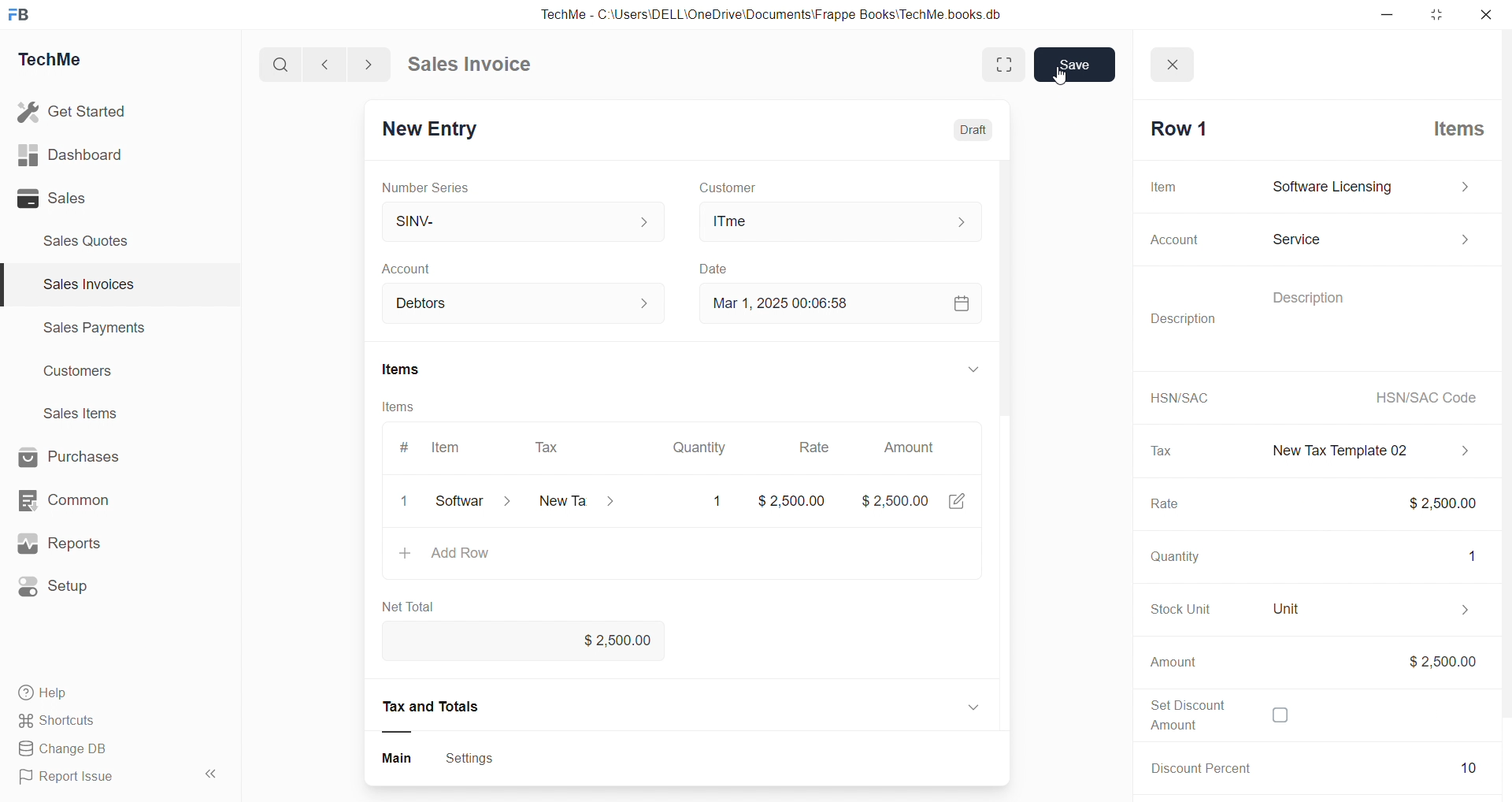 The image size is (1512, 802). Describe the element at coordinates (1367, 188) in the screenshot. I see `Software Licensing >` at that location.